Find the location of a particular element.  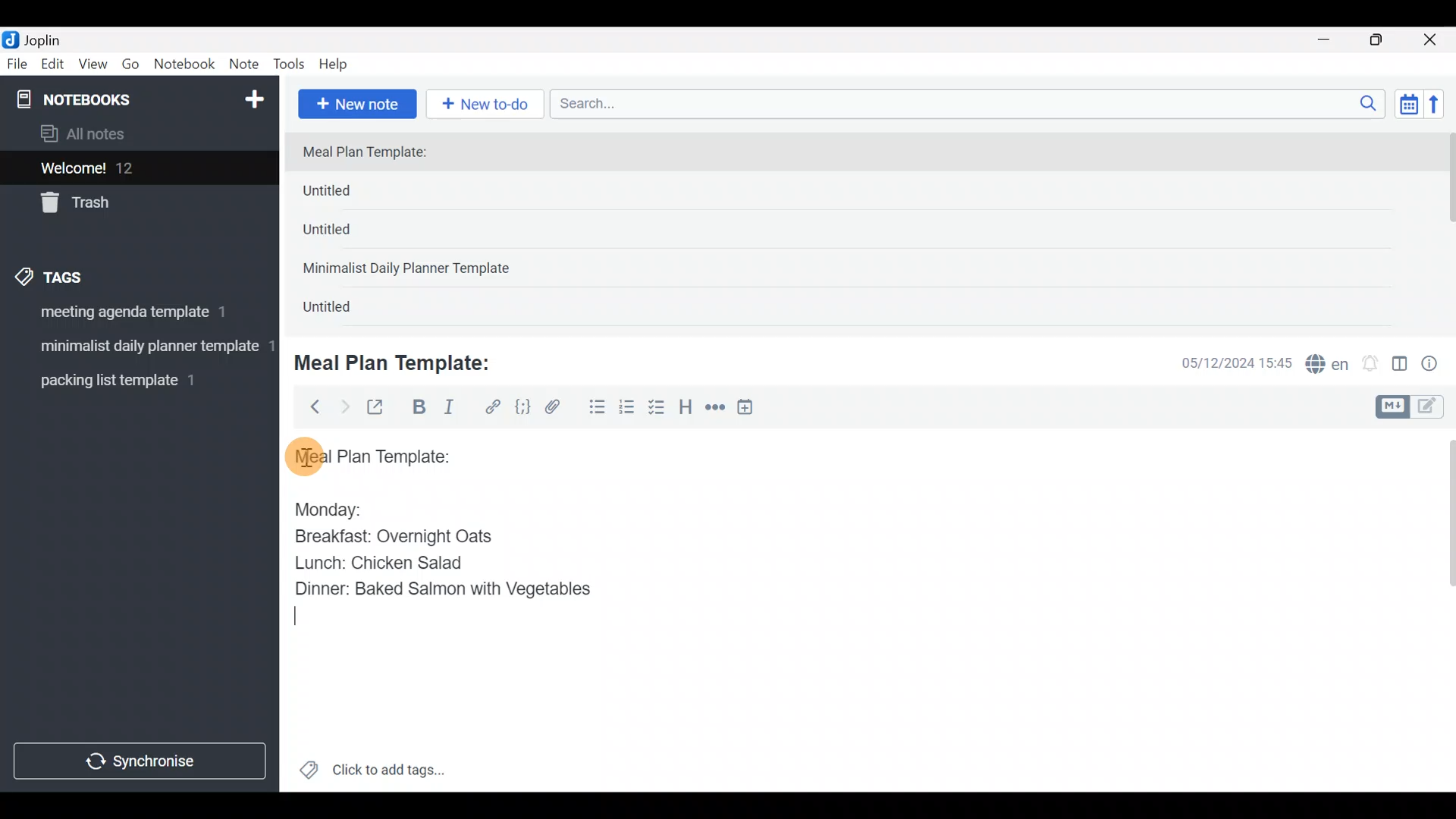

Maximize is located at coordinates (1385, 40).